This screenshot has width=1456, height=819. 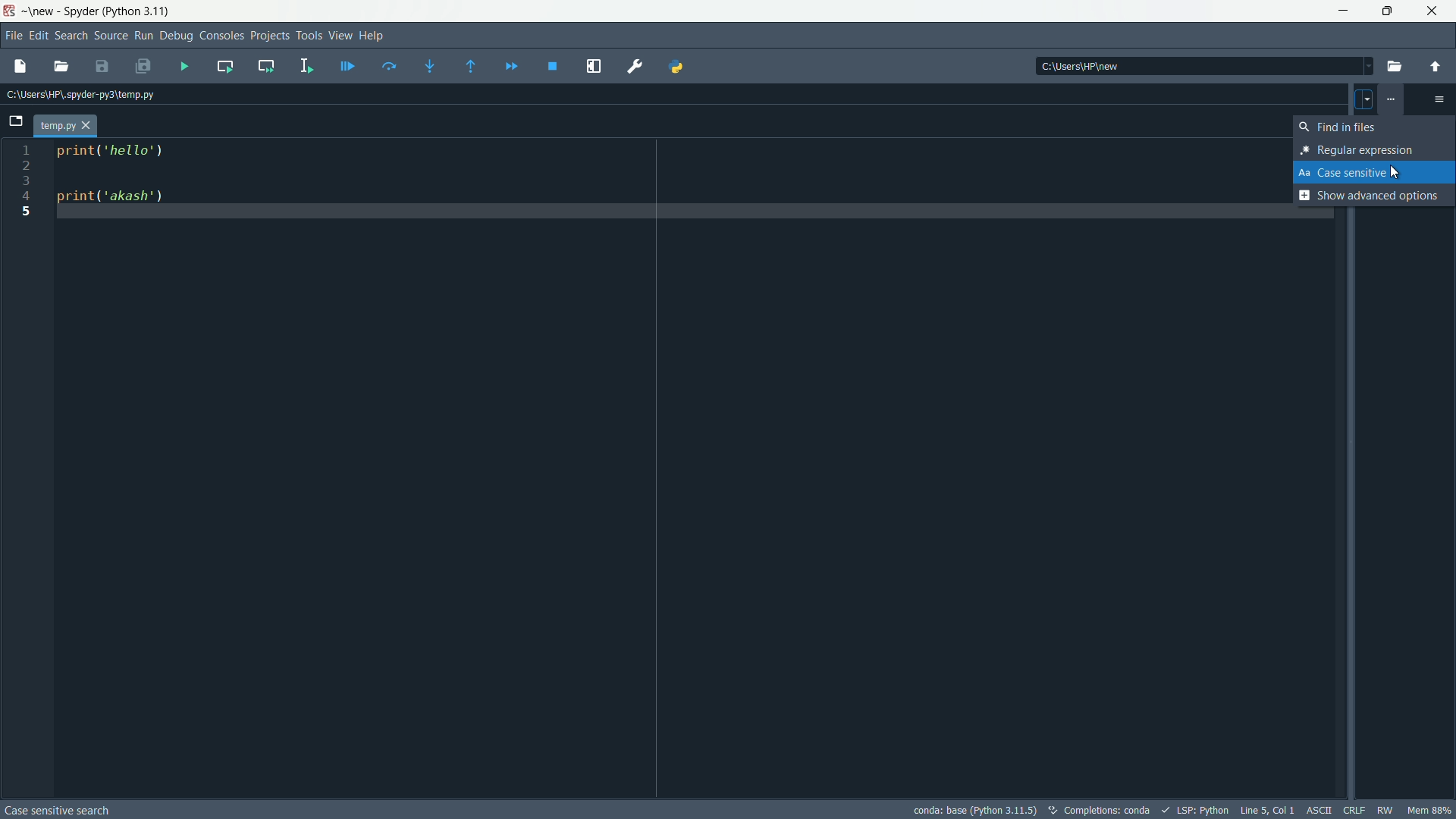 What do you see at coordinates (20, 121) in the screenshot?
I see `Browse tab` at bounding box center [20, 121].